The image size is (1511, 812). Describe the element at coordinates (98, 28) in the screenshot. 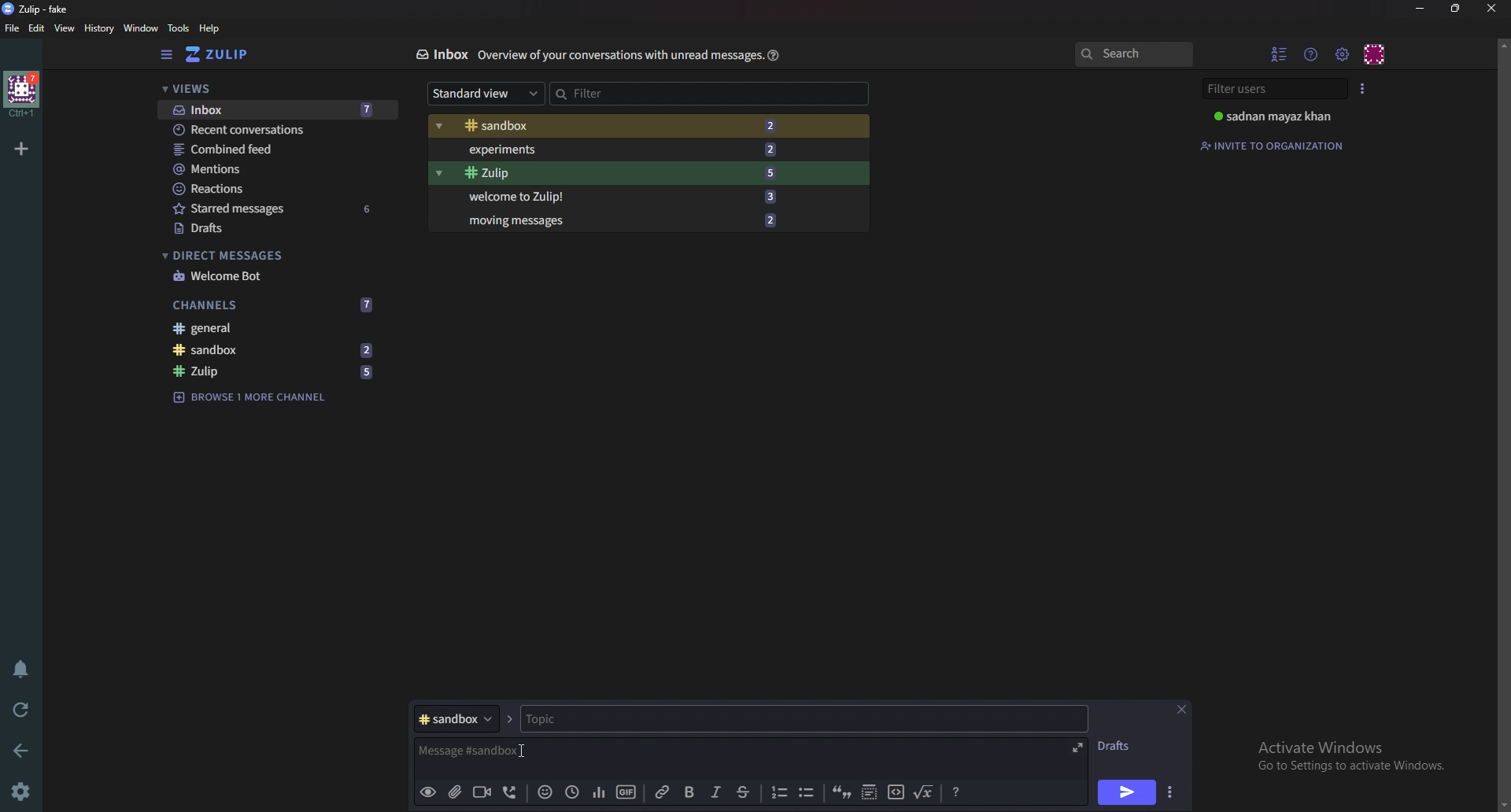

I see `History` at that location.